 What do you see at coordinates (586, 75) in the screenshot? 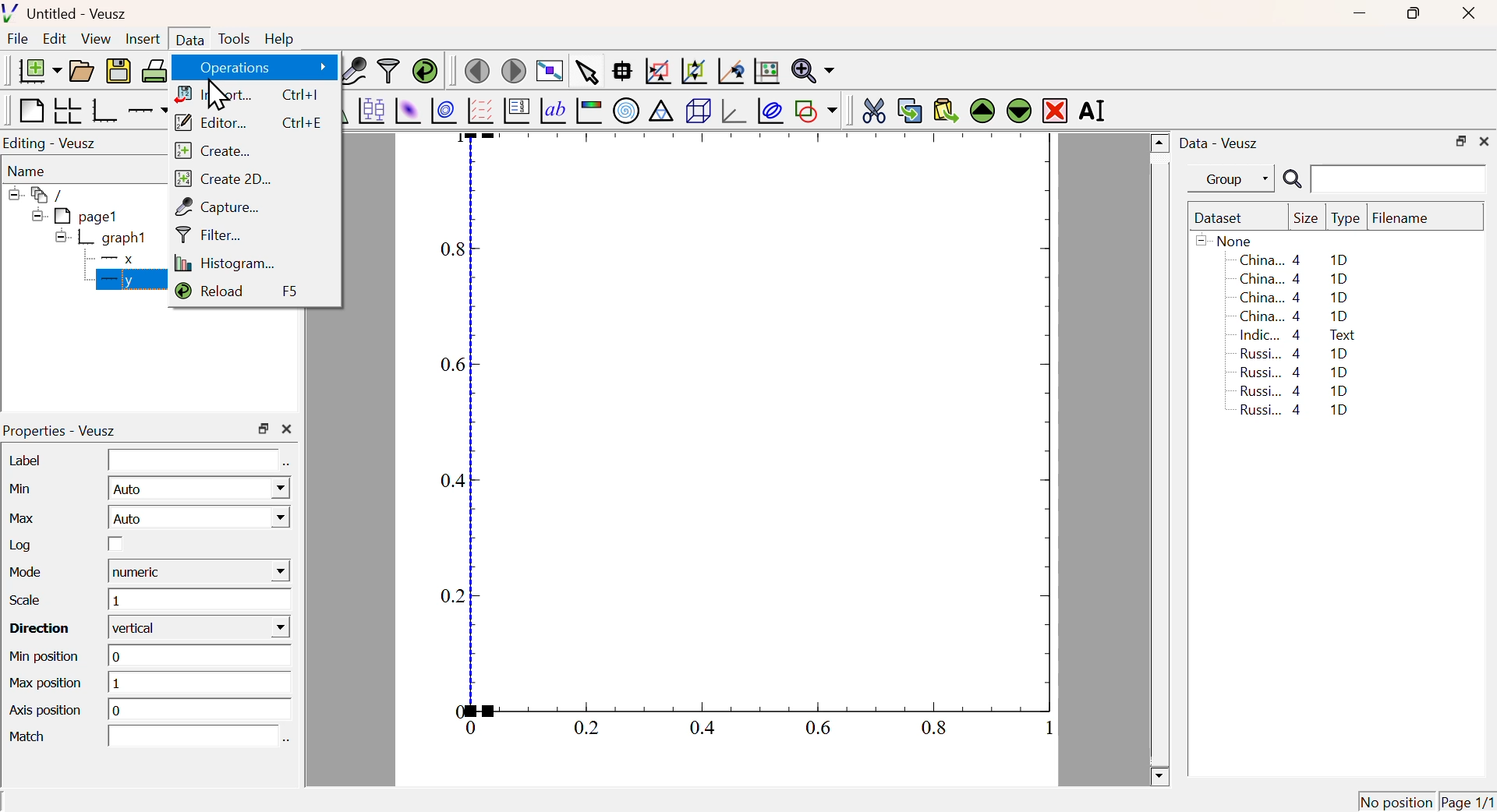
I see `Select items from graph or scroll` at bounding box center [586, 75].